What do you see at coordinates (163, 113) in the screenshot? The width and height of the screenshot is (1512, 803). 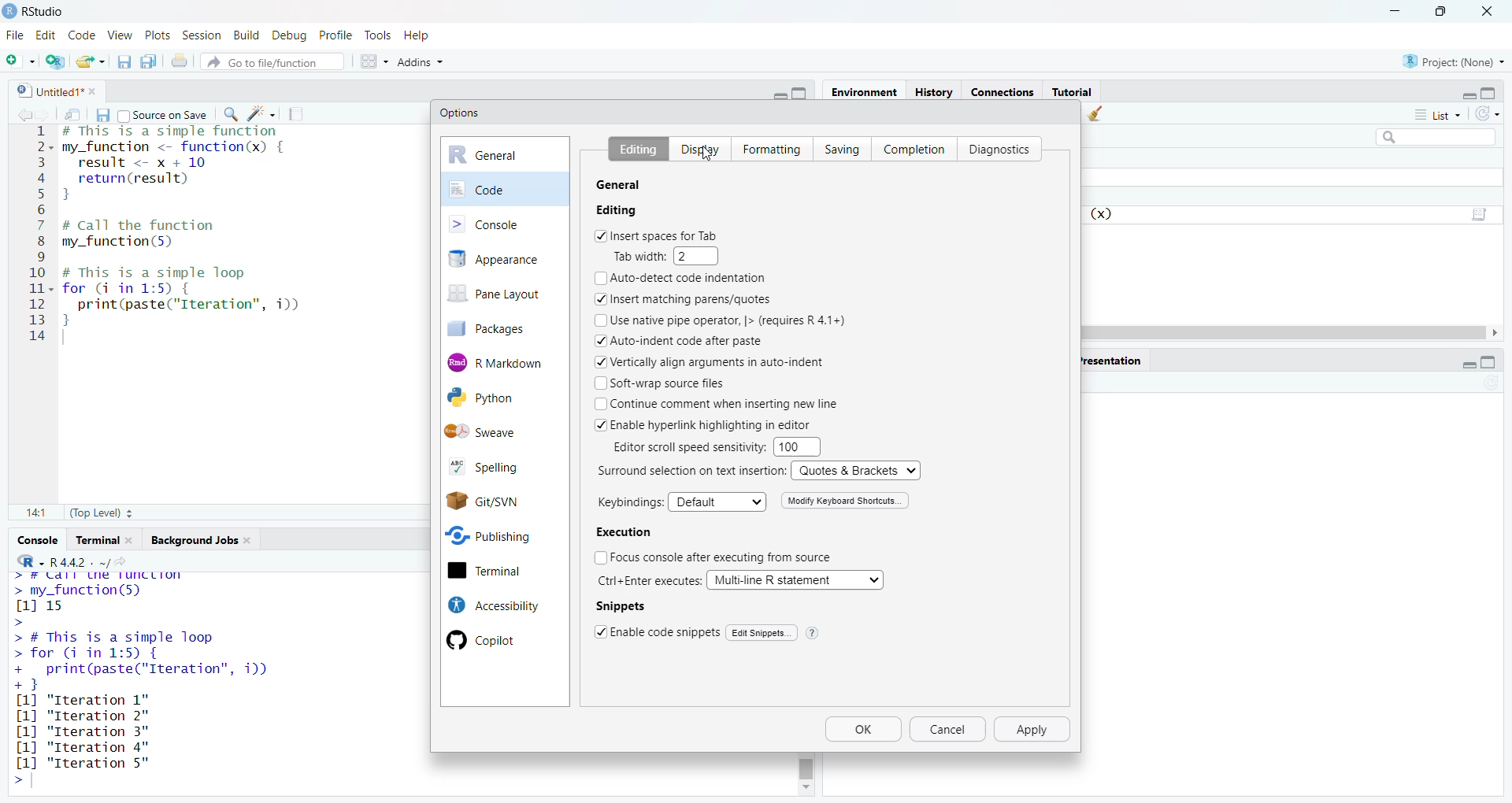 I see `source on save` at bounding box center [163, 113].